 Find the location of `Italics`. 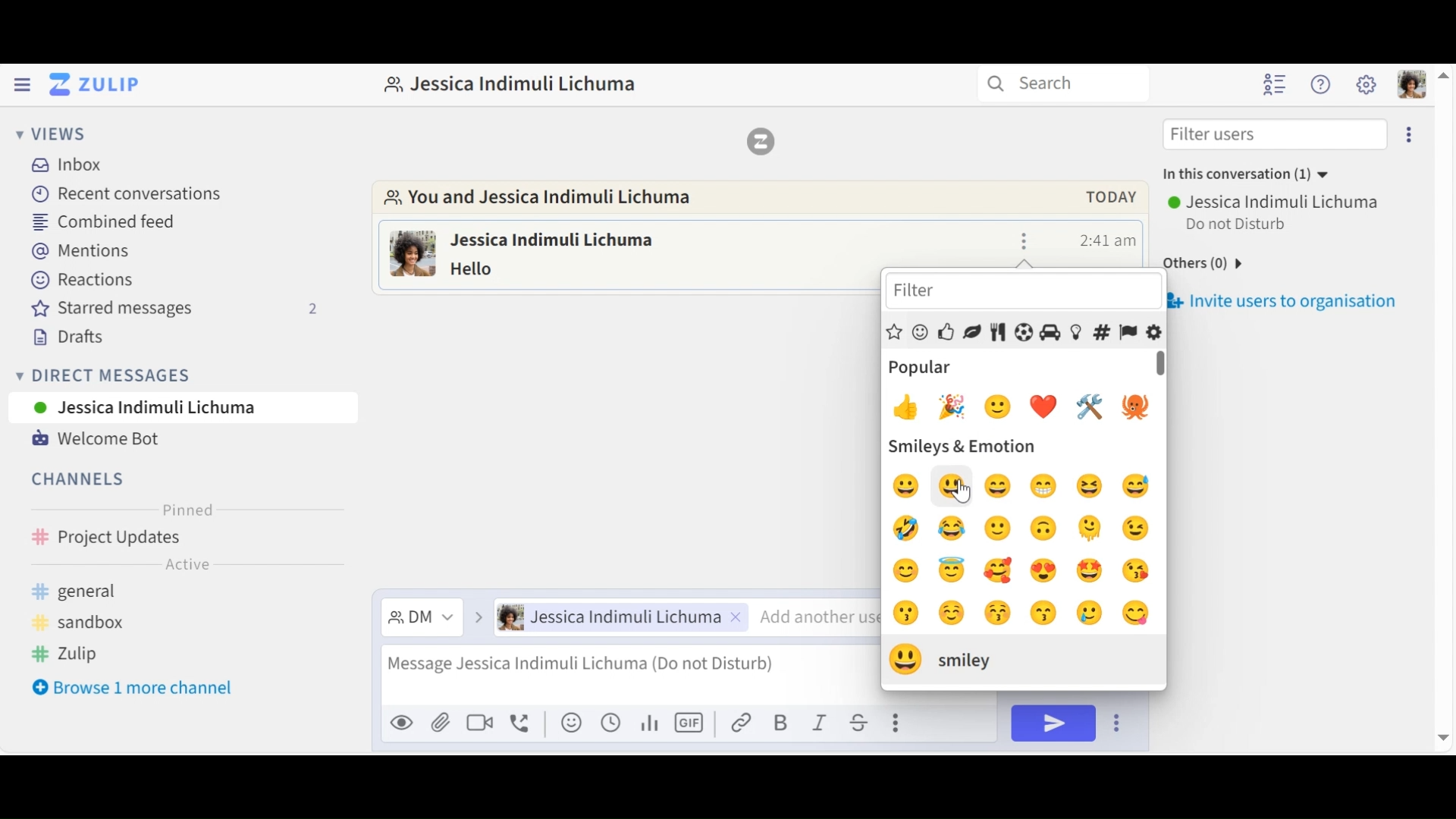

Italics is located at coordinates (821, 721).